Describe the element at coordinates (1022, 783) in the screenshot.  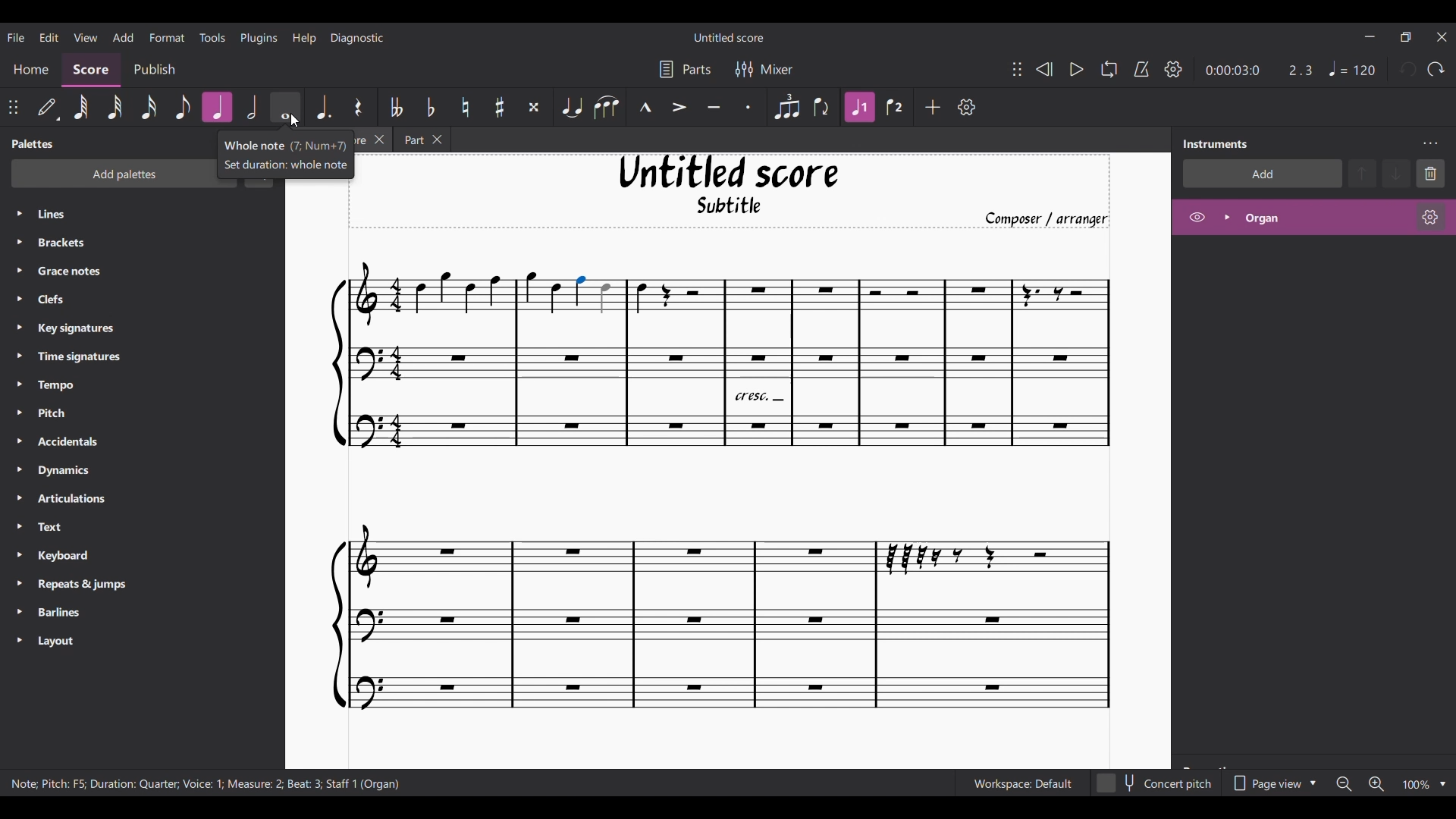
I see `Workspace setting` at that location.